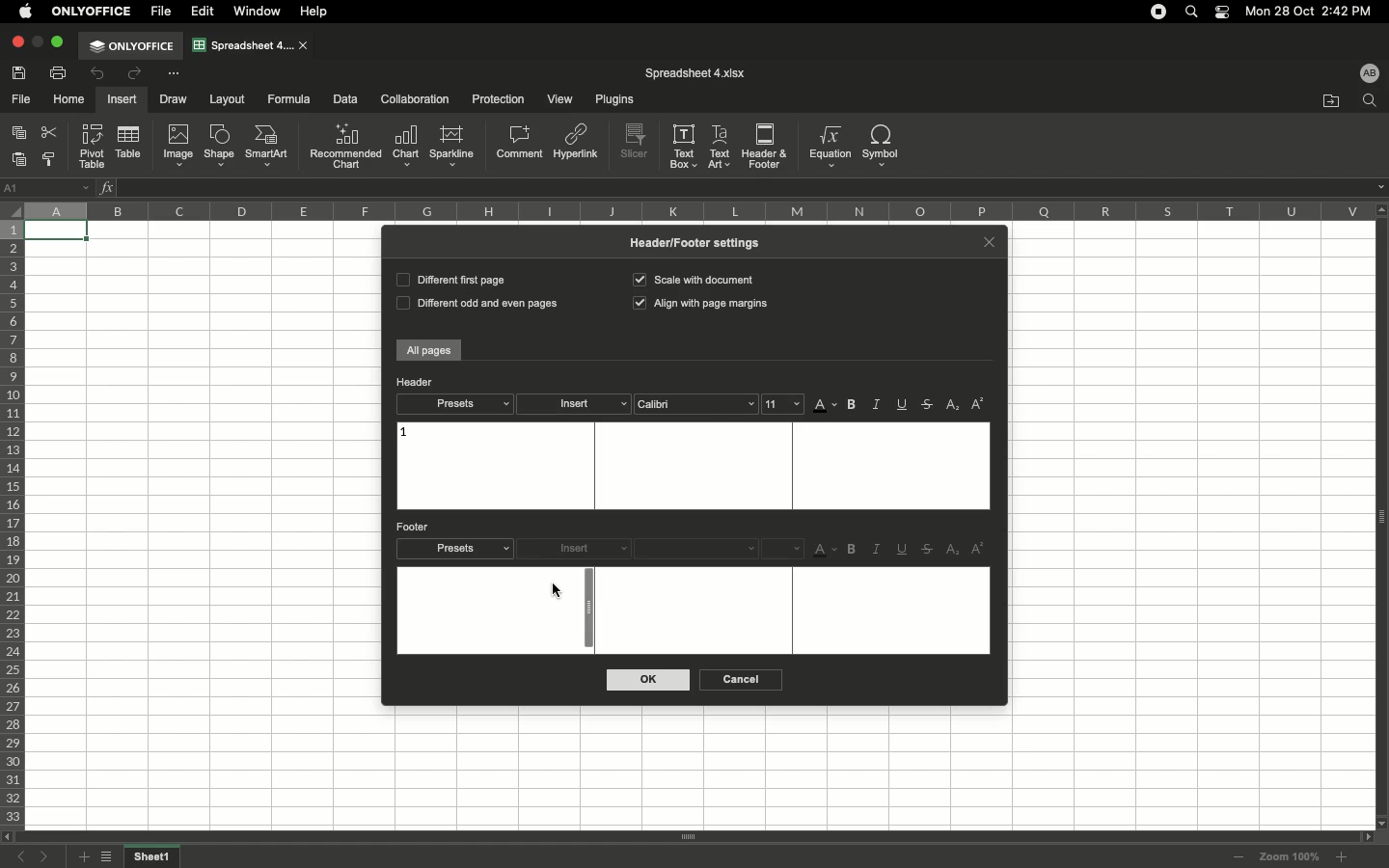 The image size is (1389, 868). What do you see at coordinates (82, 857) in the screenshot?
I see `Add sheet` at bounding box center [82, 857].